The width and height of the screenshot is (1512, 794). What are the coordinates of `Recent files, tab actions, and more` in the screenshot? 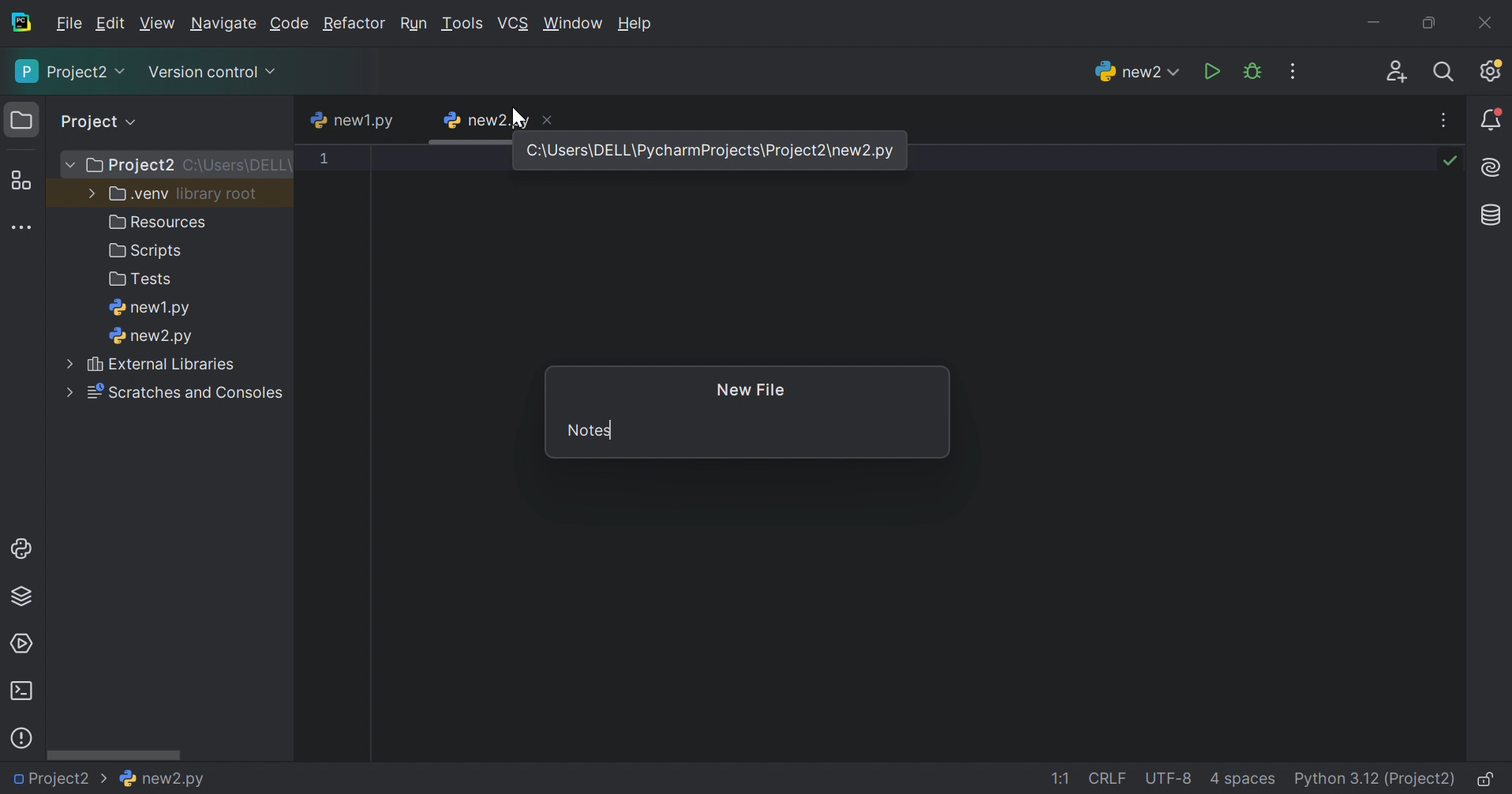 It's located at (1445, 120).